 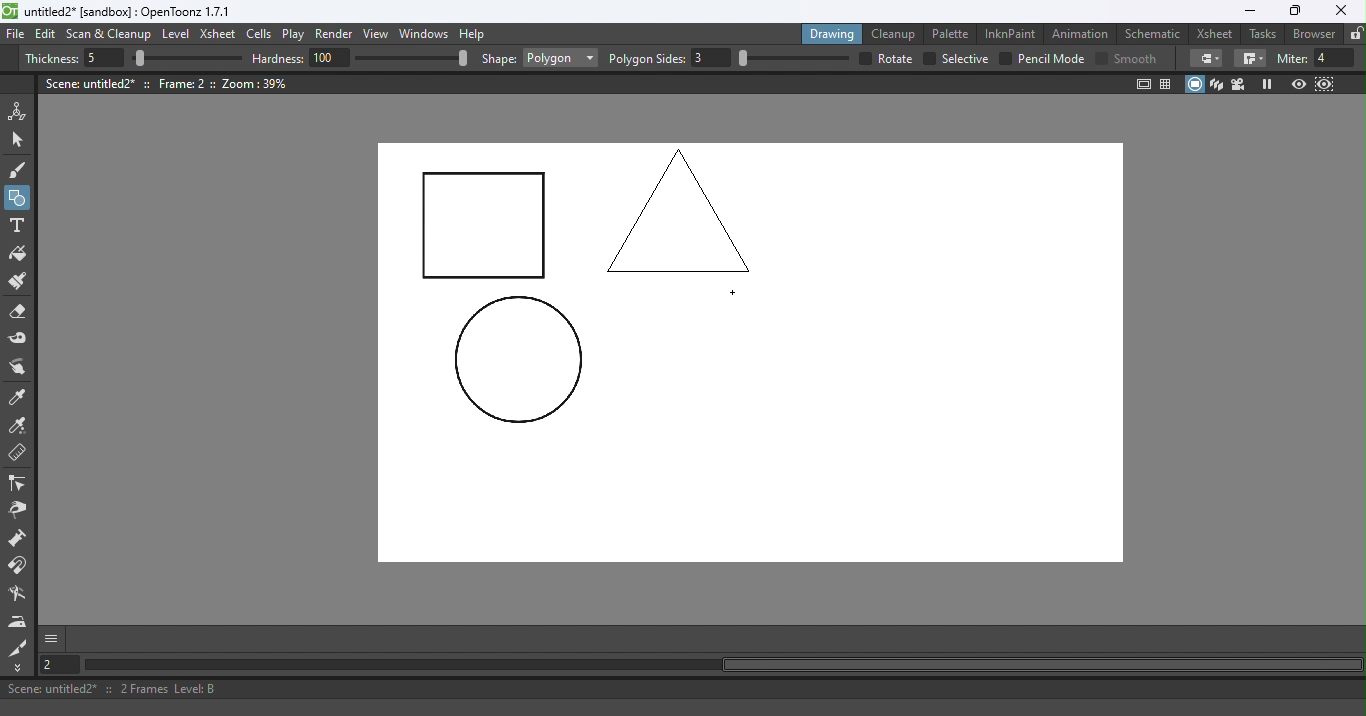 I want to click on Schematic, so click(x=1153, y=34).